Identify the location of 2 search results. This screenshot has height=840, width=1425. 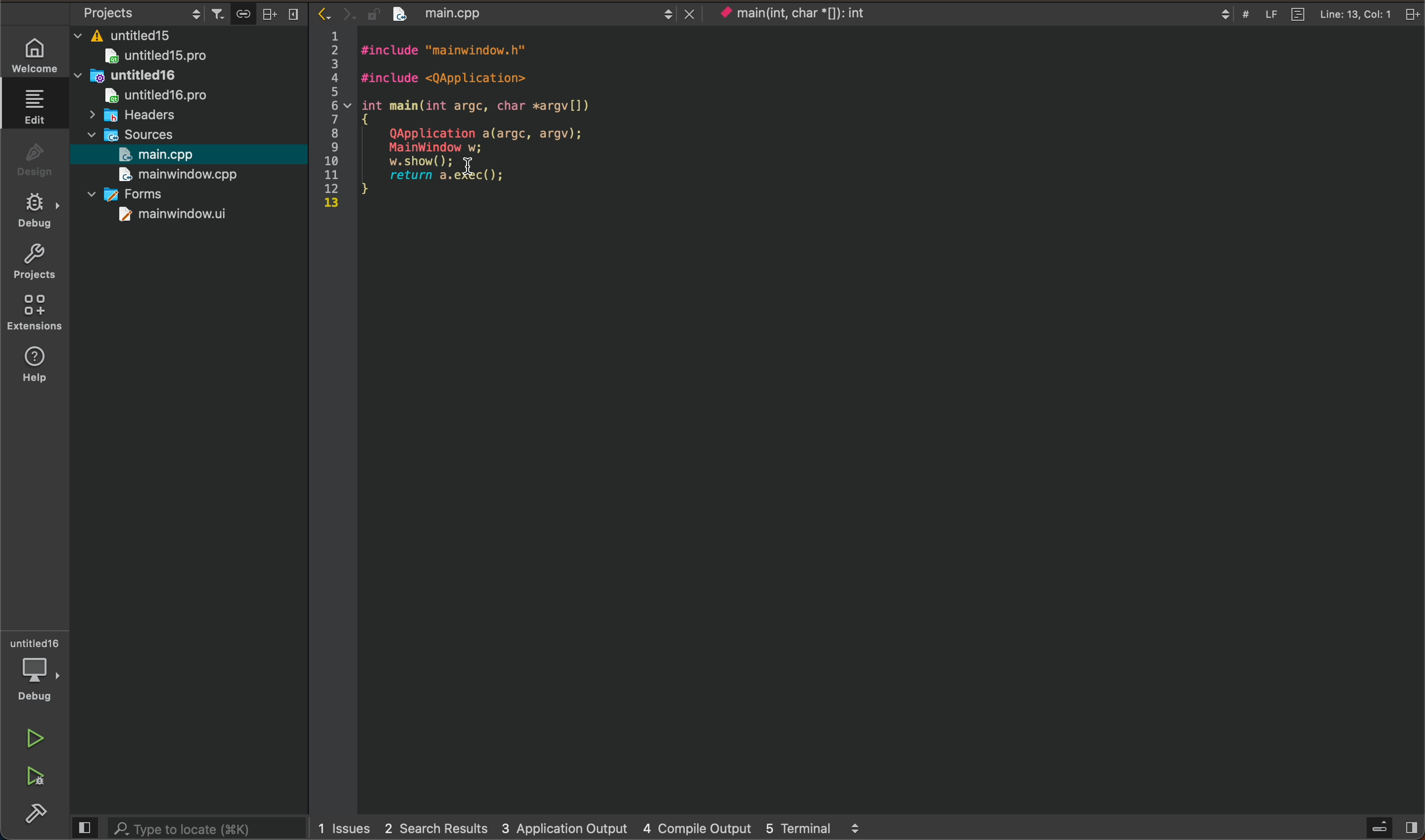
(436, 828).